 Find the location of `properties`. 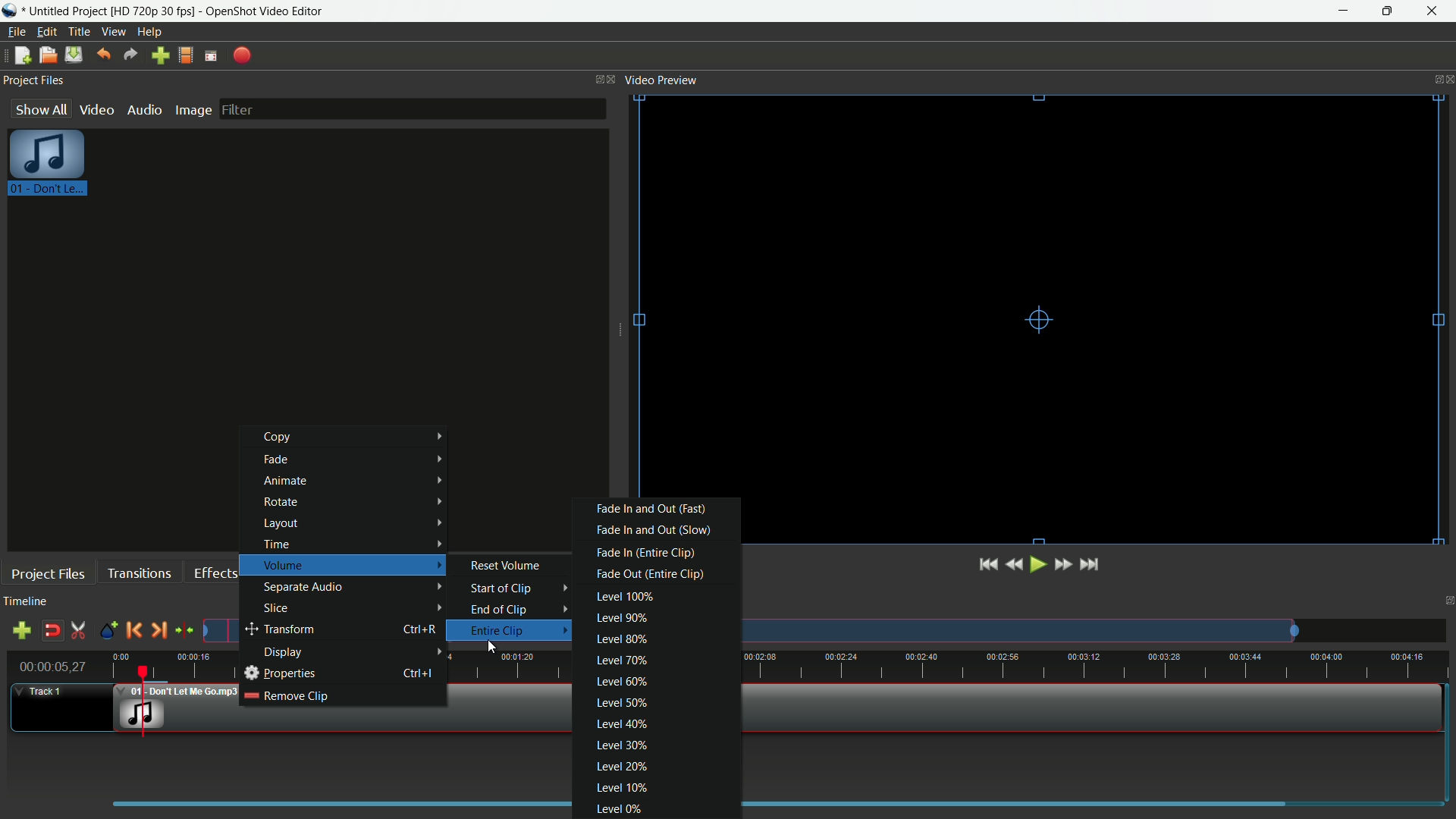

properties is located at coordinates (280, 673).